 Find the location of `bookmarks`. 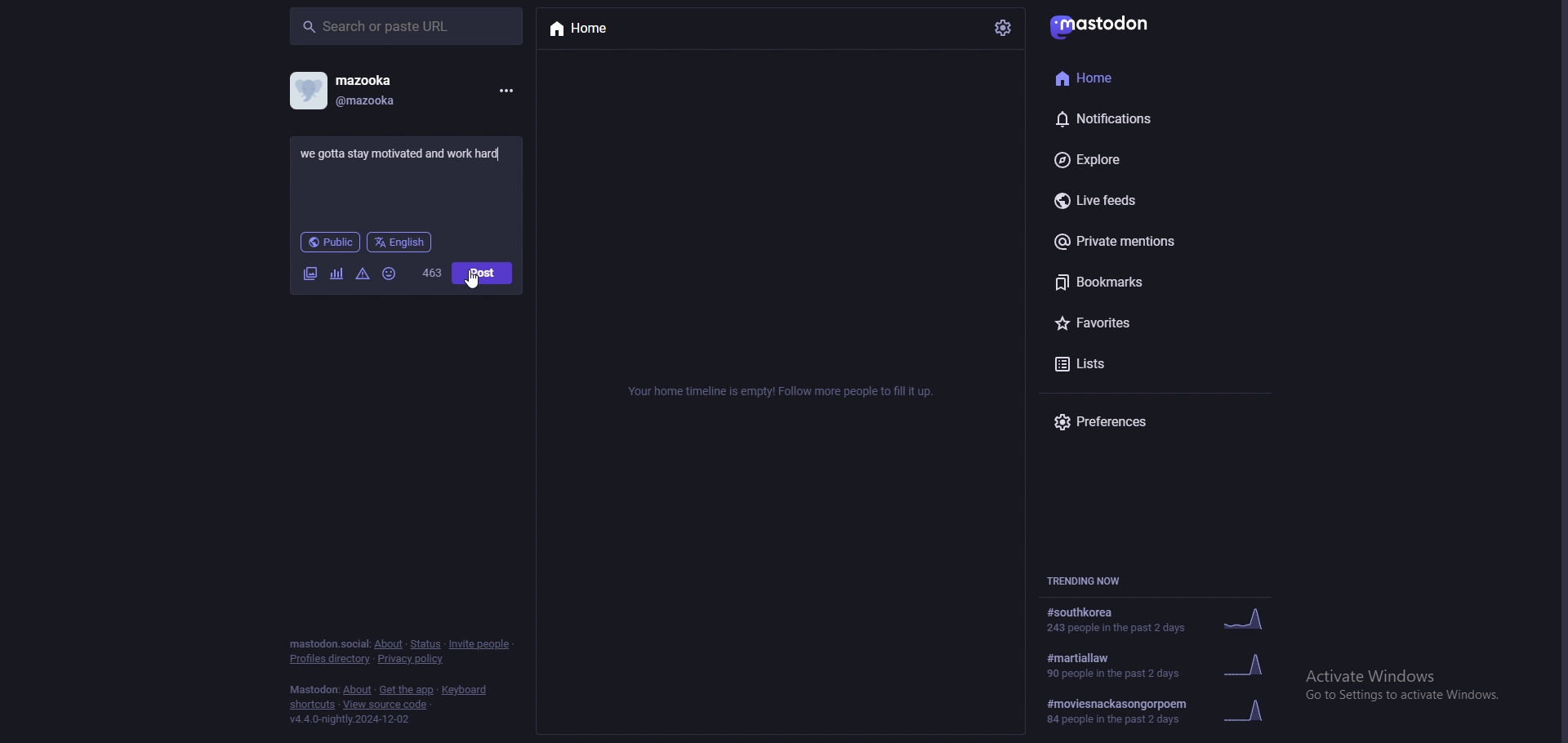

bookmarks is located at coordinates (1127, 282).